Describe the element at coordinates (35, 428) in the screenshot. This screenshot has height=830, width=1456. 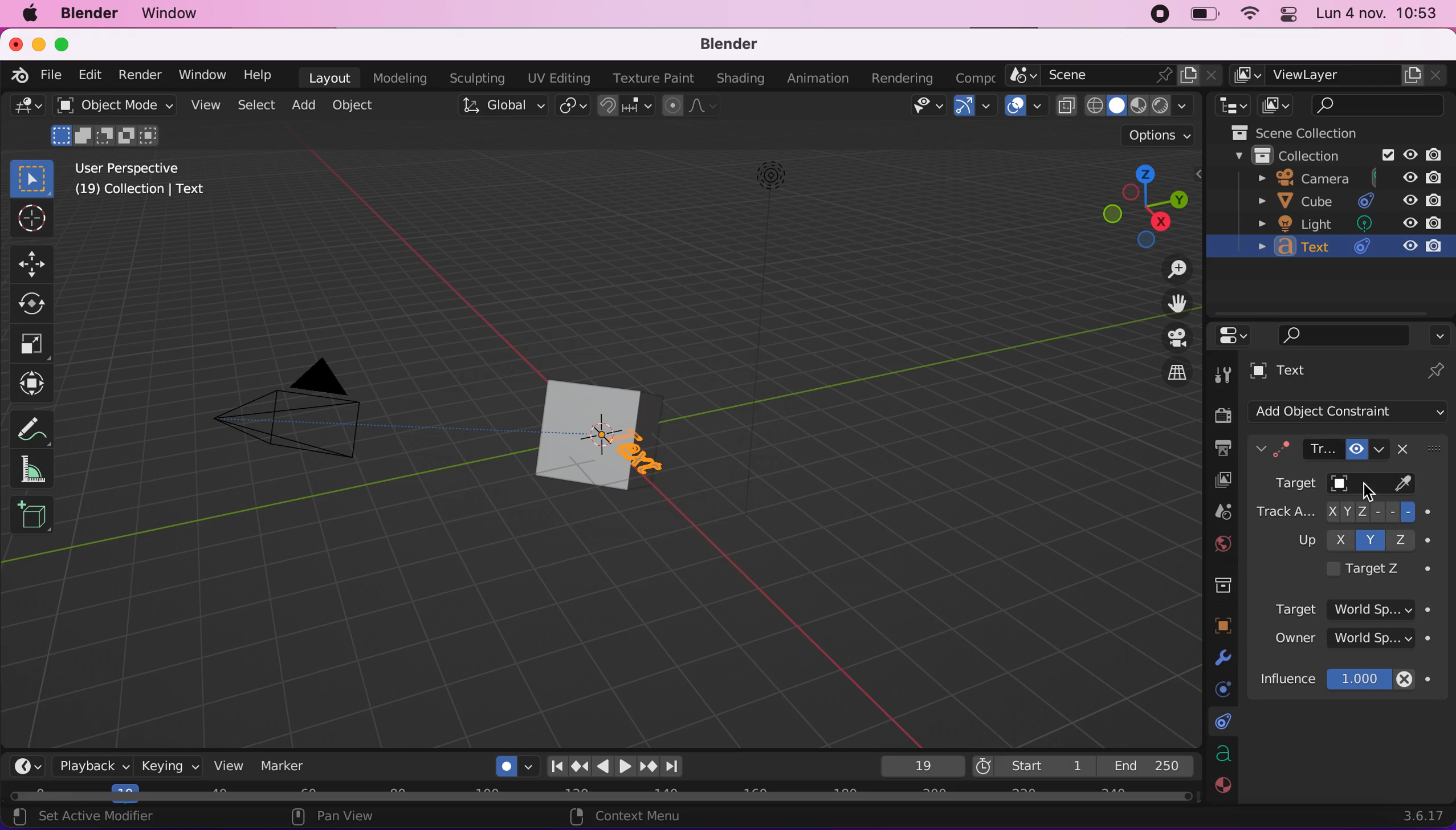
I see `annotate` at that location.